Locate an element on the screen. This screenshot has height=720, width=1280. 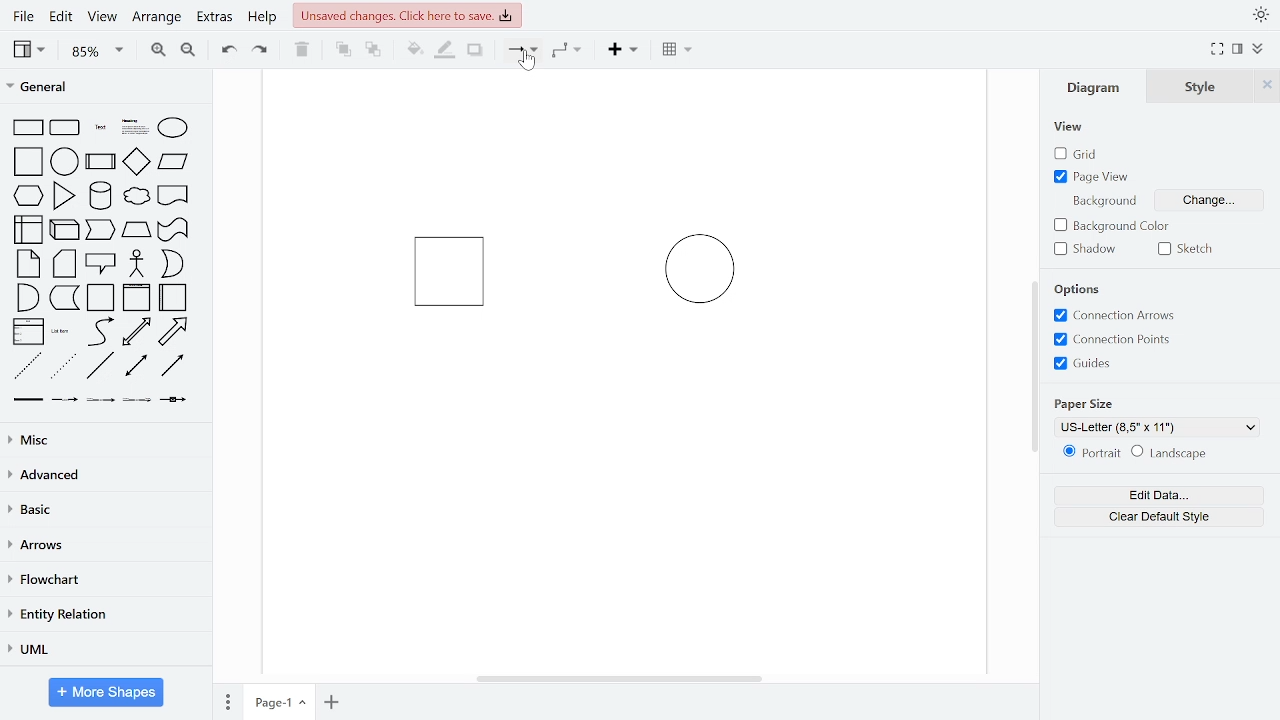
vertical container is located at coordinates (136, 298).